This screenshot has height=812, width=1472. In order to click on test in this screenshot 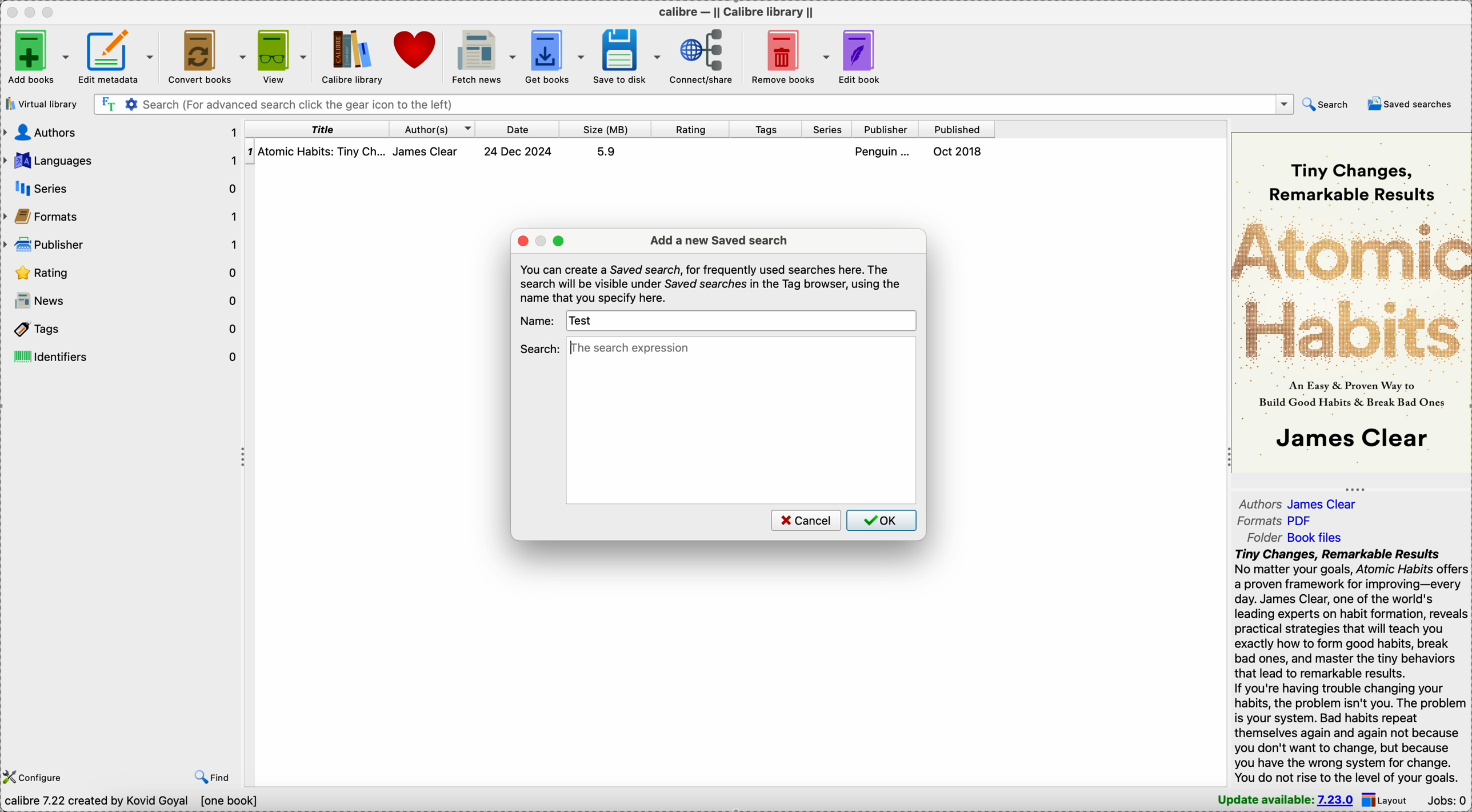, I will do `click(583, 321)`.